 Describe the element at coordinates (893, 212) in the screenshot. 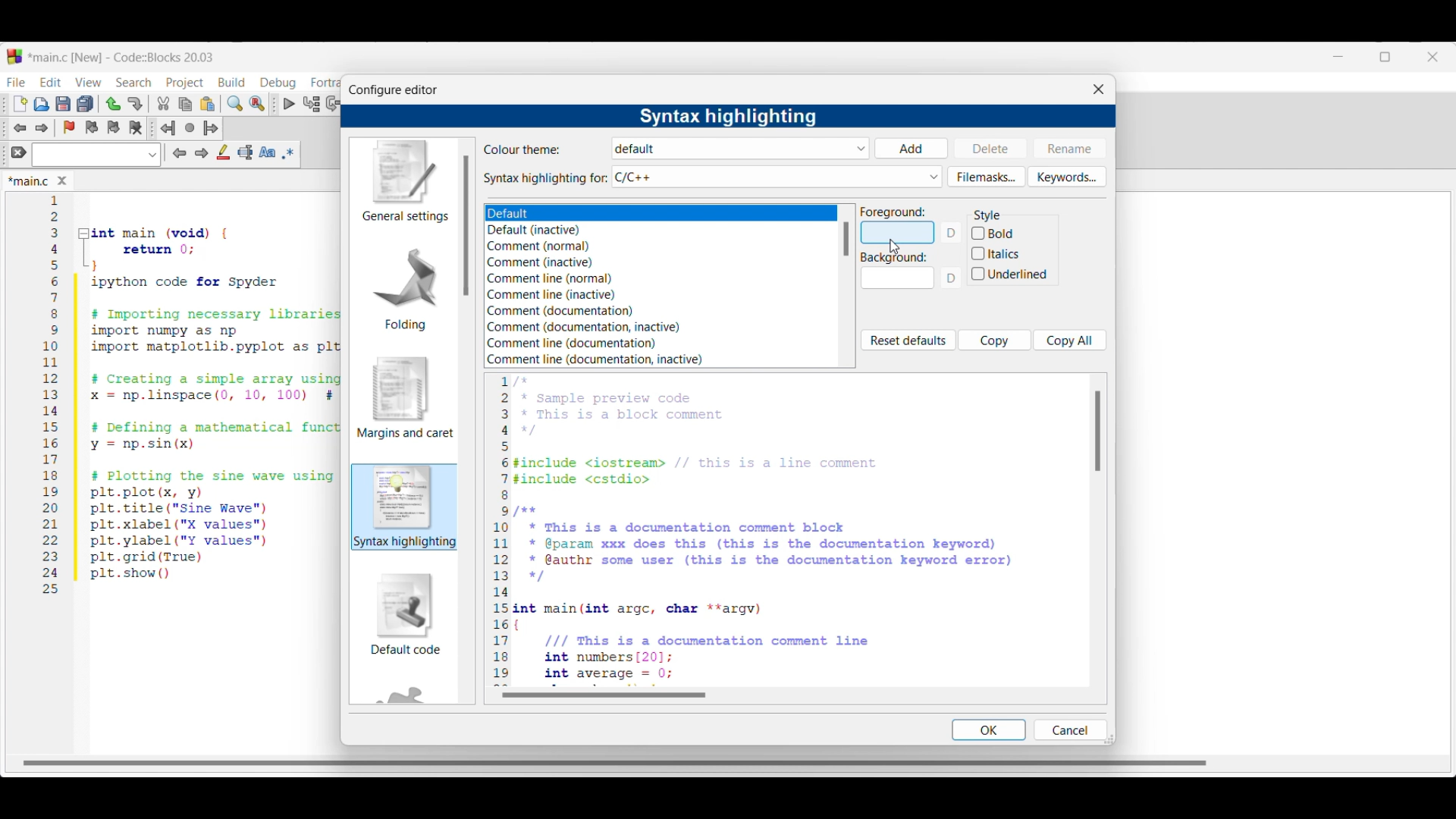

I see `Indicates foreground color options` at that location.